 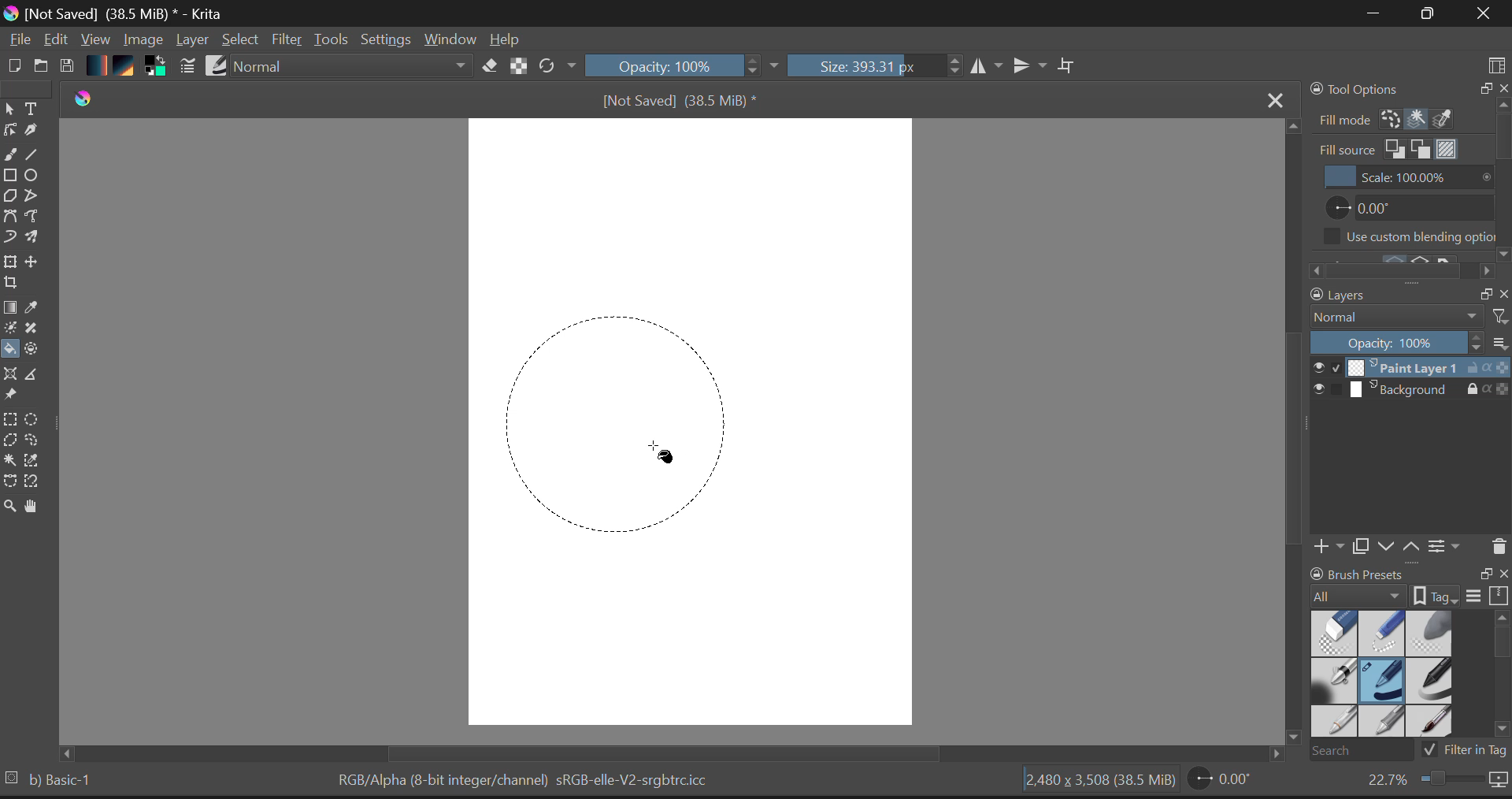 What do you see at coordinates (117, 13) in the screenshot?
I see `Window Title` at bounding box center [117, 13].